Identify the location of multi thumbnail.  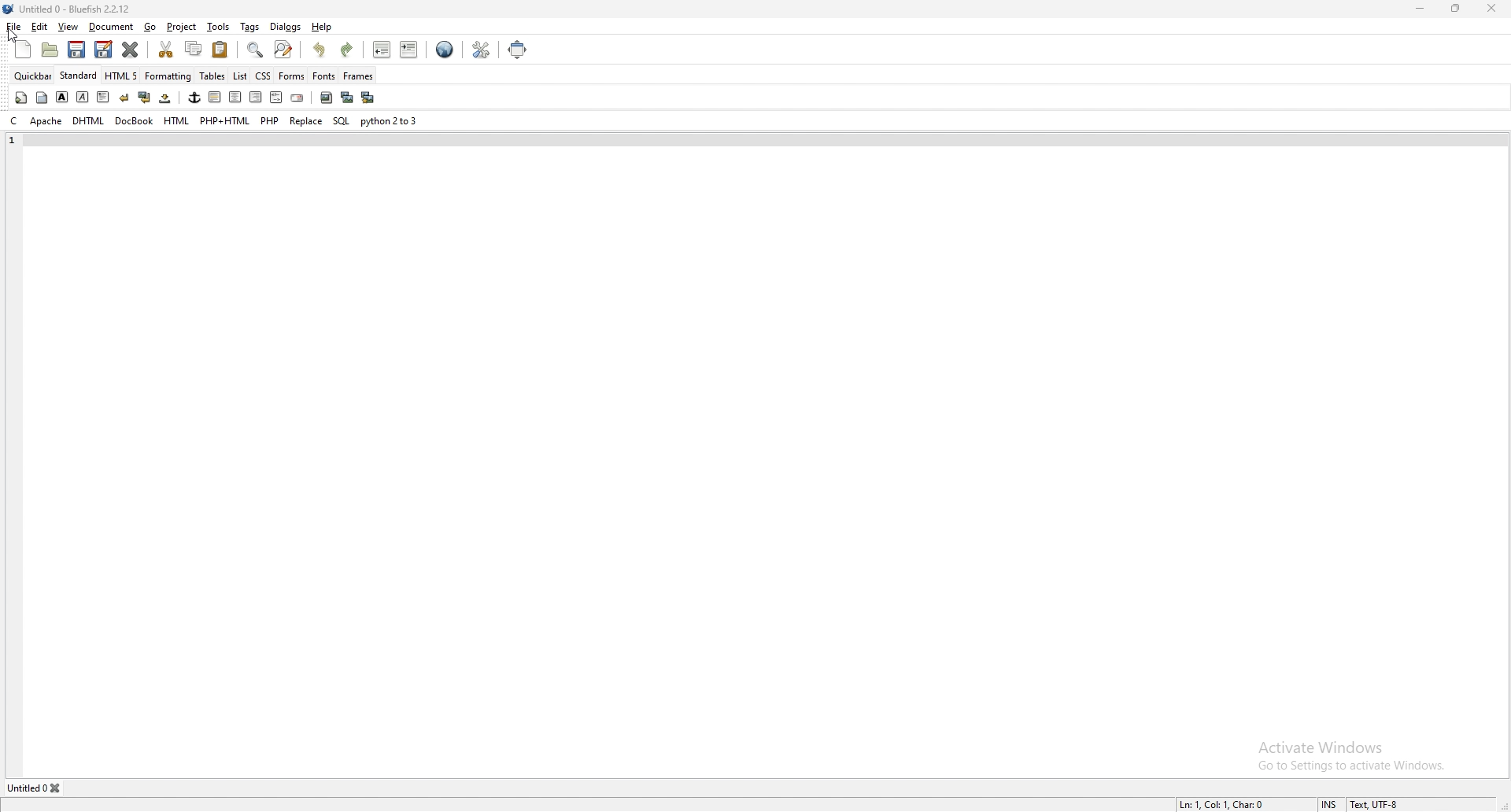
(368, 97).